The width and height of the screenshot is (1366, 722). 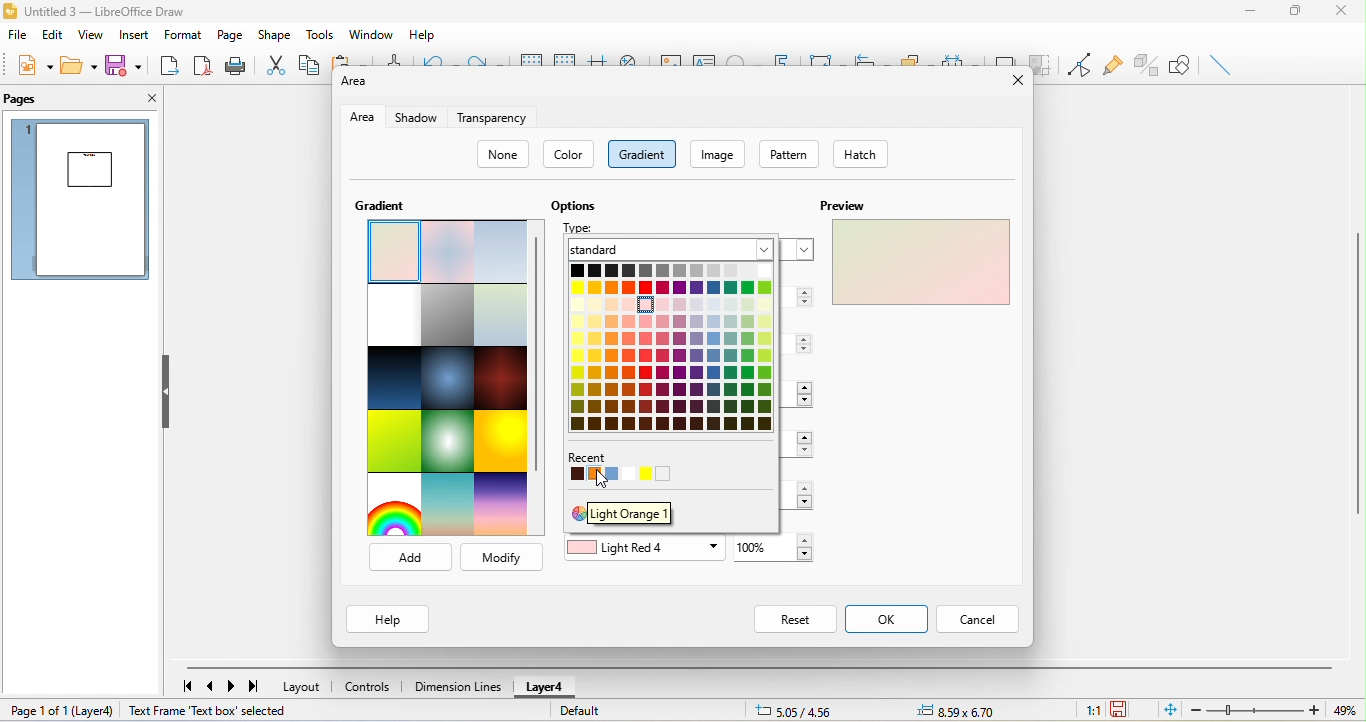 I want to click on copy, so click(x=310, y=65).